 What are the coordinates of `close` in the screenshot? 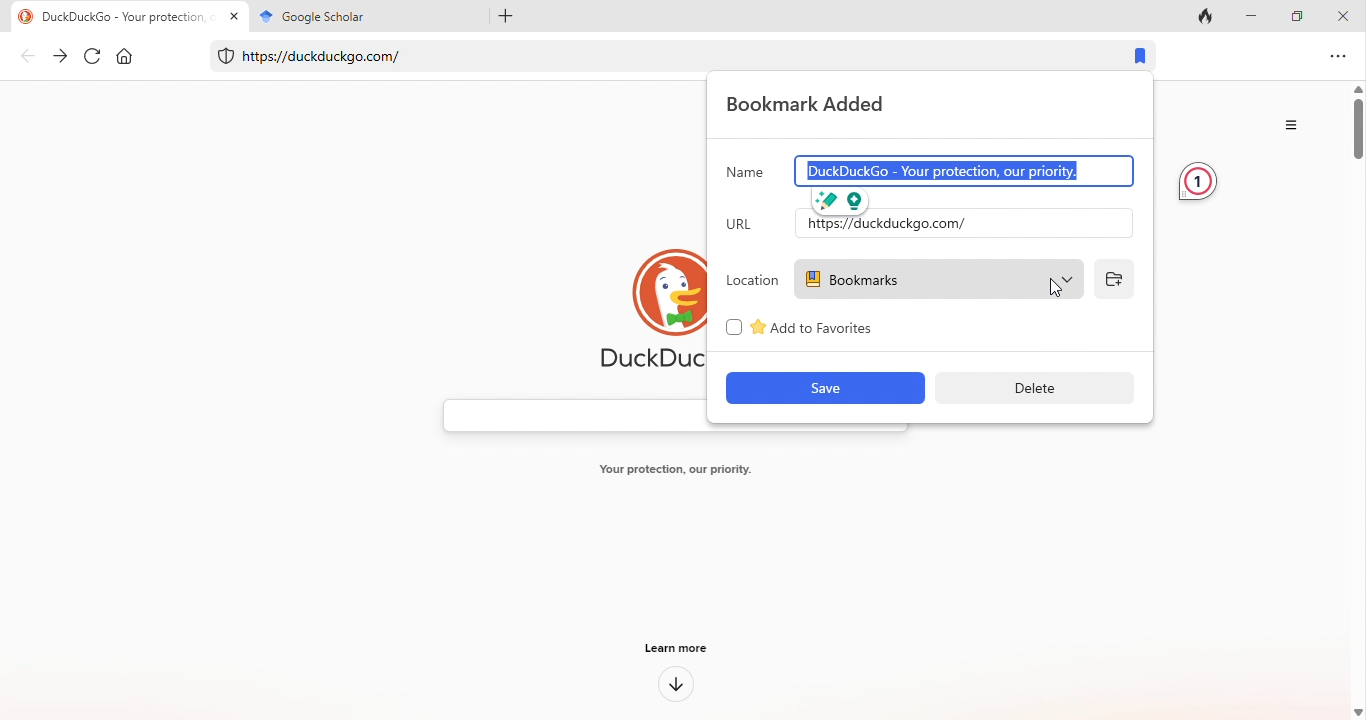 It's located at (1346, 15).